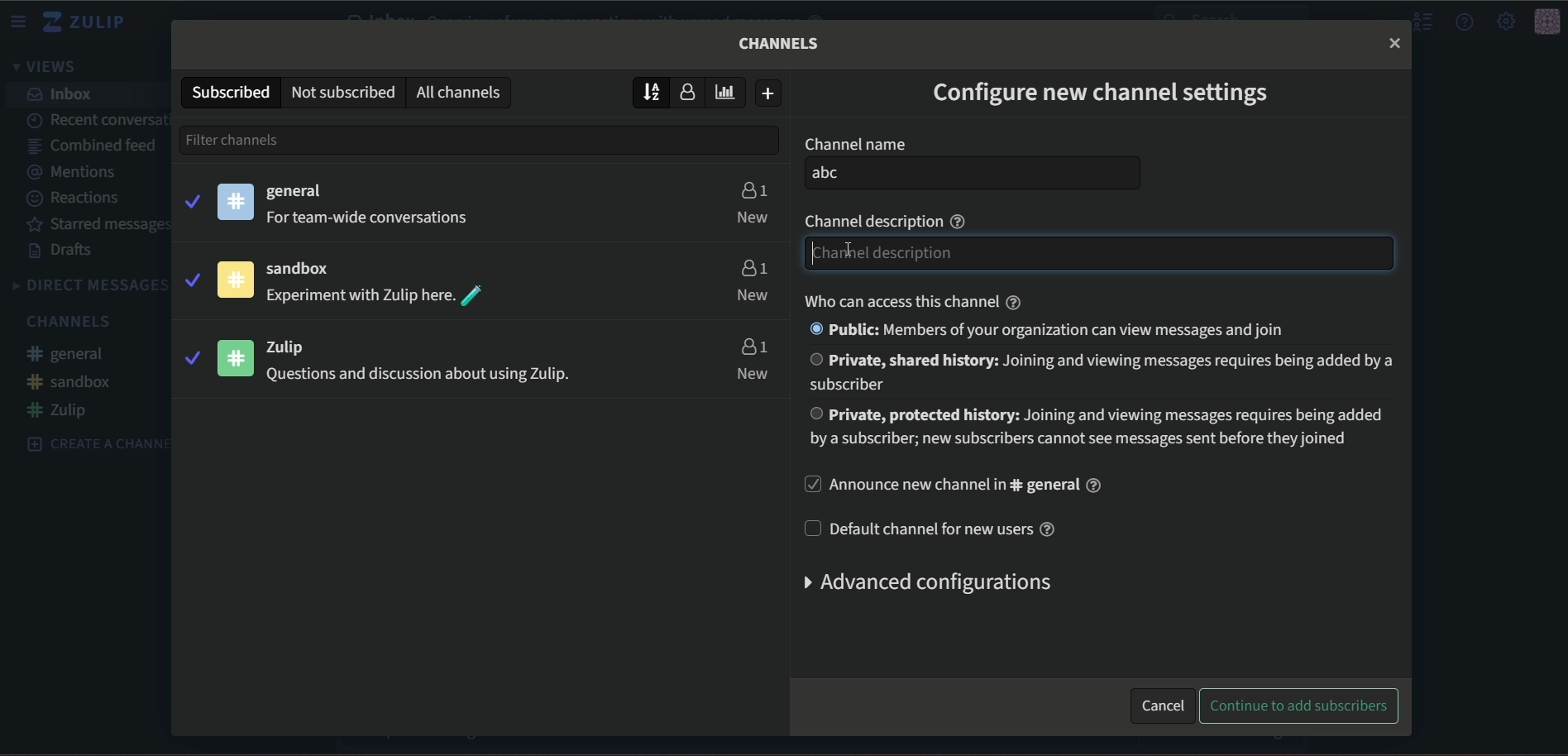 This screenshot has width=1568, height=756. Describe the element at coordinates (1098, 425) in the screenshot. I see ` Private, protected history: Joining and viewing messages requires being addedby a subscriber; new subscribers cannot see messages sent before they joined` at that location.